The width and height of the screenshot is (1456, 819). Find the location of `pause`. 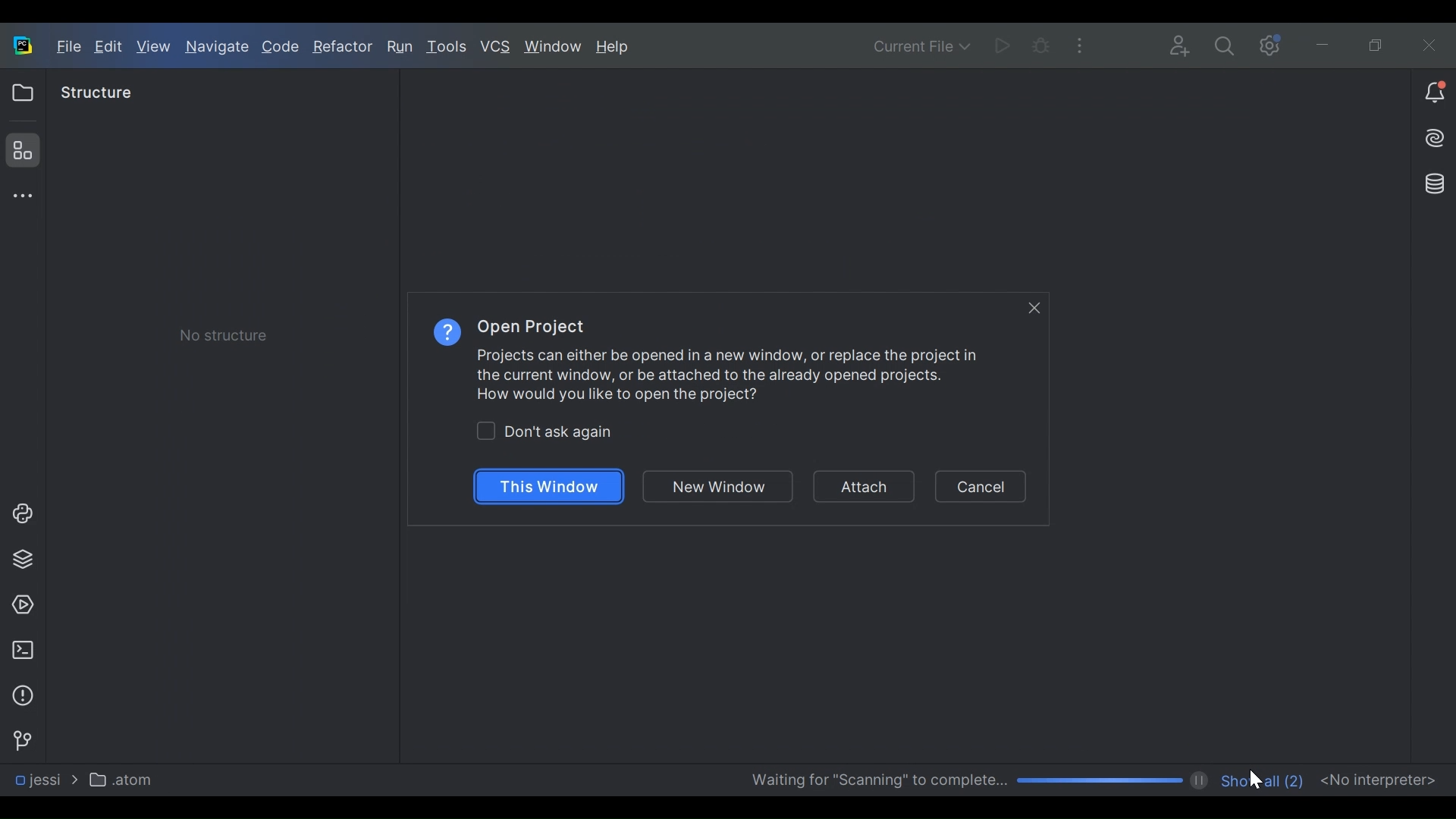

pause is located at coordinates (1204, 780).